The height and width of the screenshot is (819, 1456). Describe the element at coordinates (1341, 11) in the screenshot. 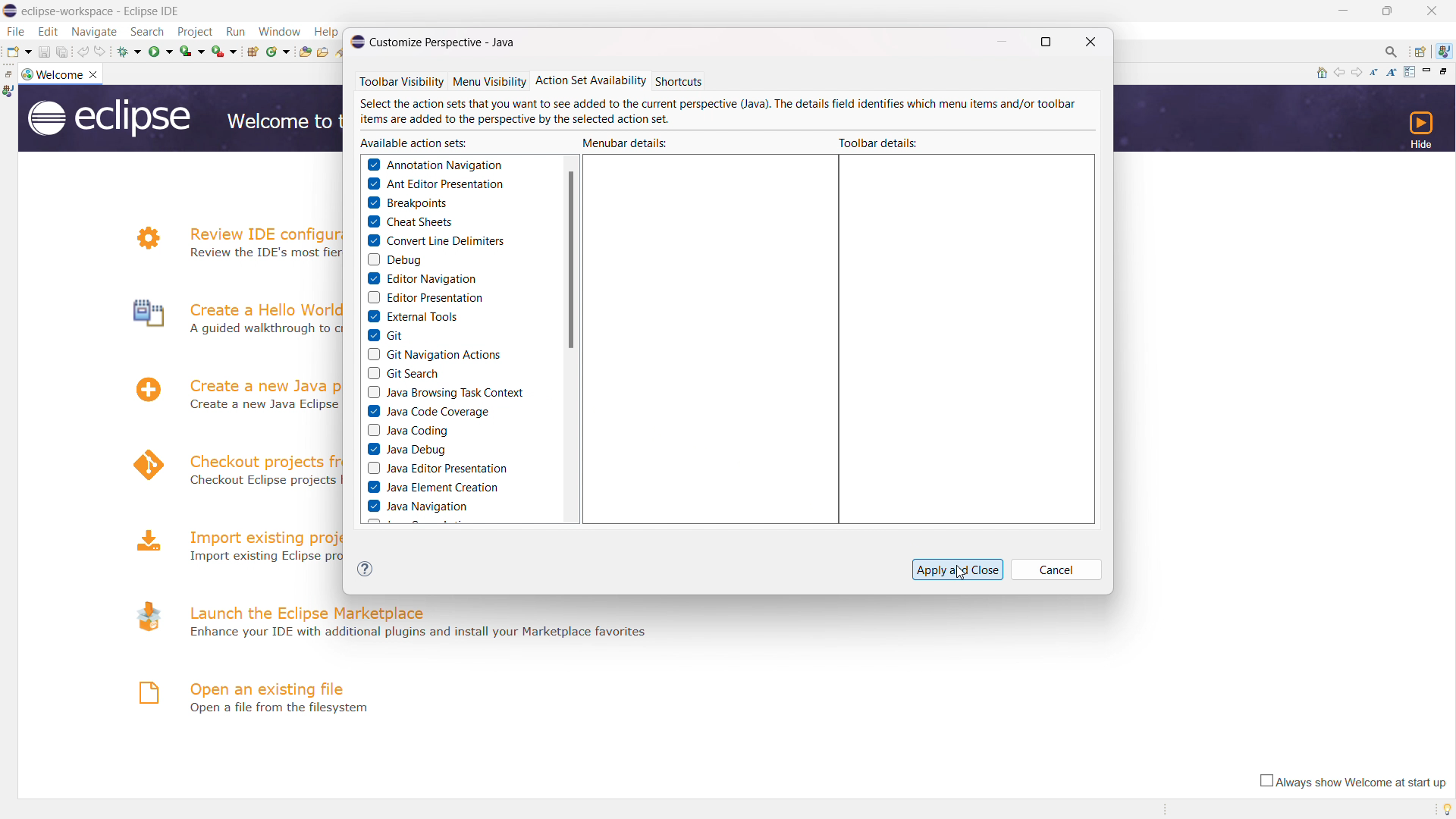

I see `minimize` at that location.